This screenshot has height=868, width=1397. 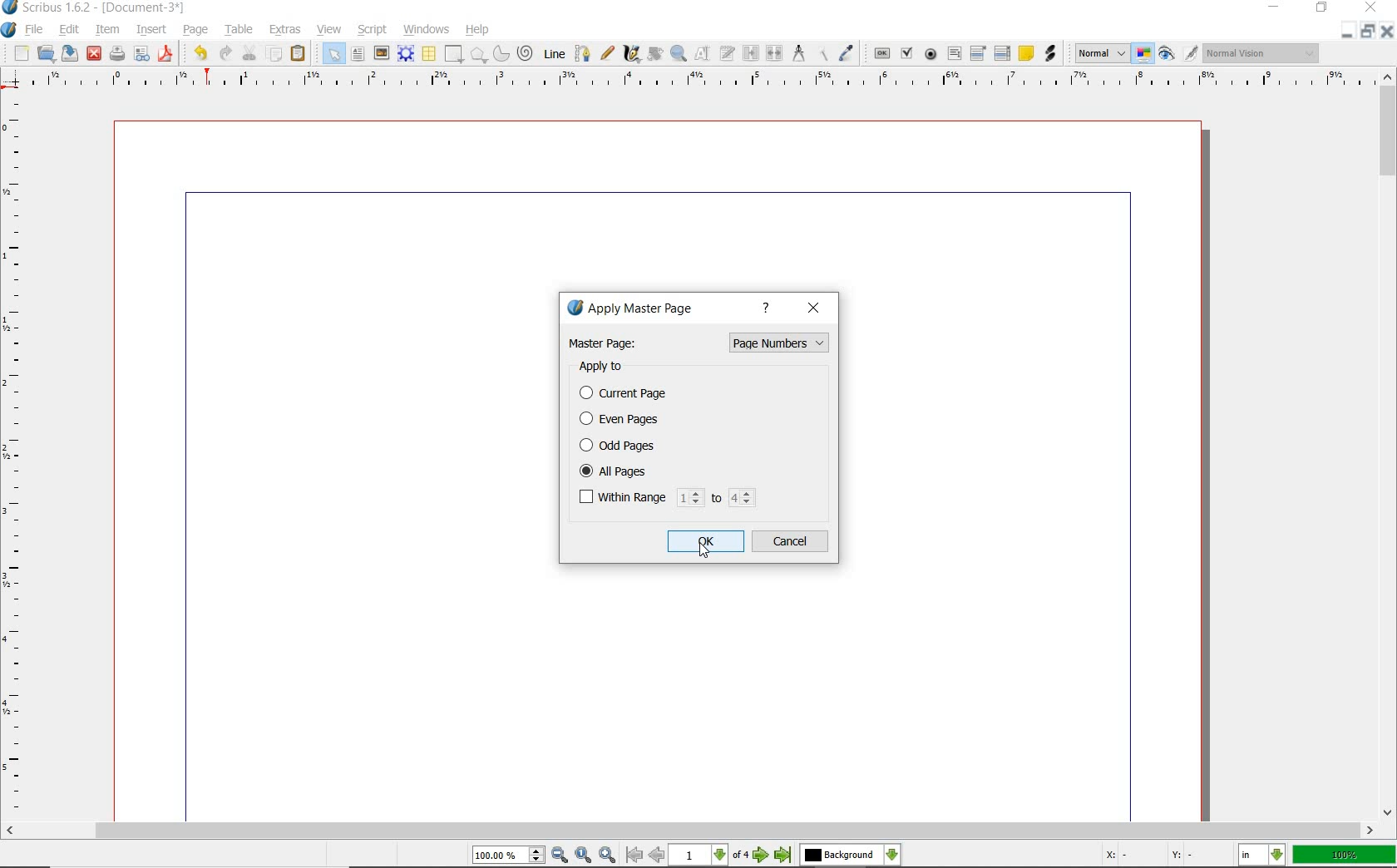 What do you see at coordinates (703, 552) in the screenshot?
I see `Cursor` at bounding box center [703, 552].